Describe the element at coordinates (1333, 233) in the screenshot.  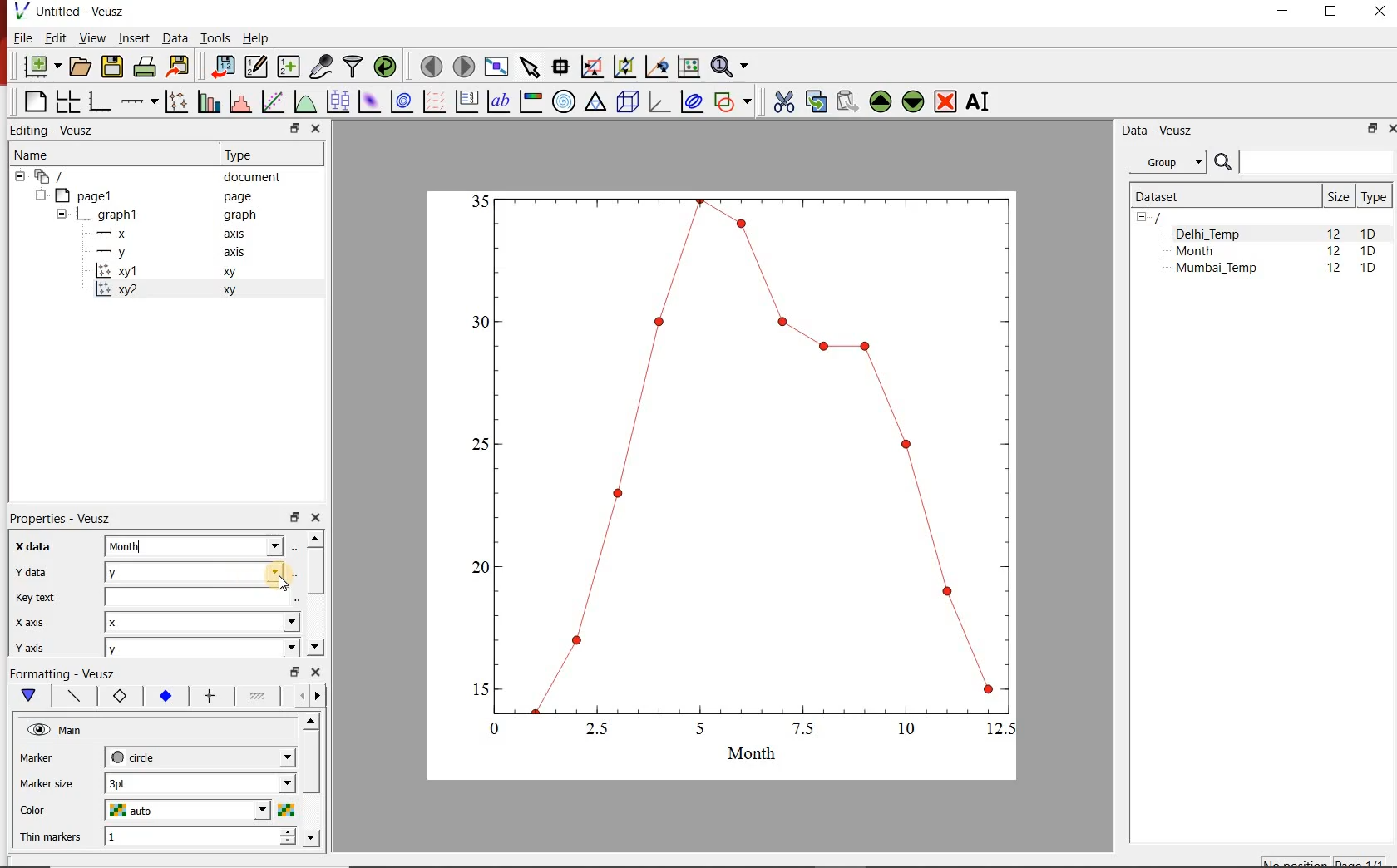
I see `12` at that location.